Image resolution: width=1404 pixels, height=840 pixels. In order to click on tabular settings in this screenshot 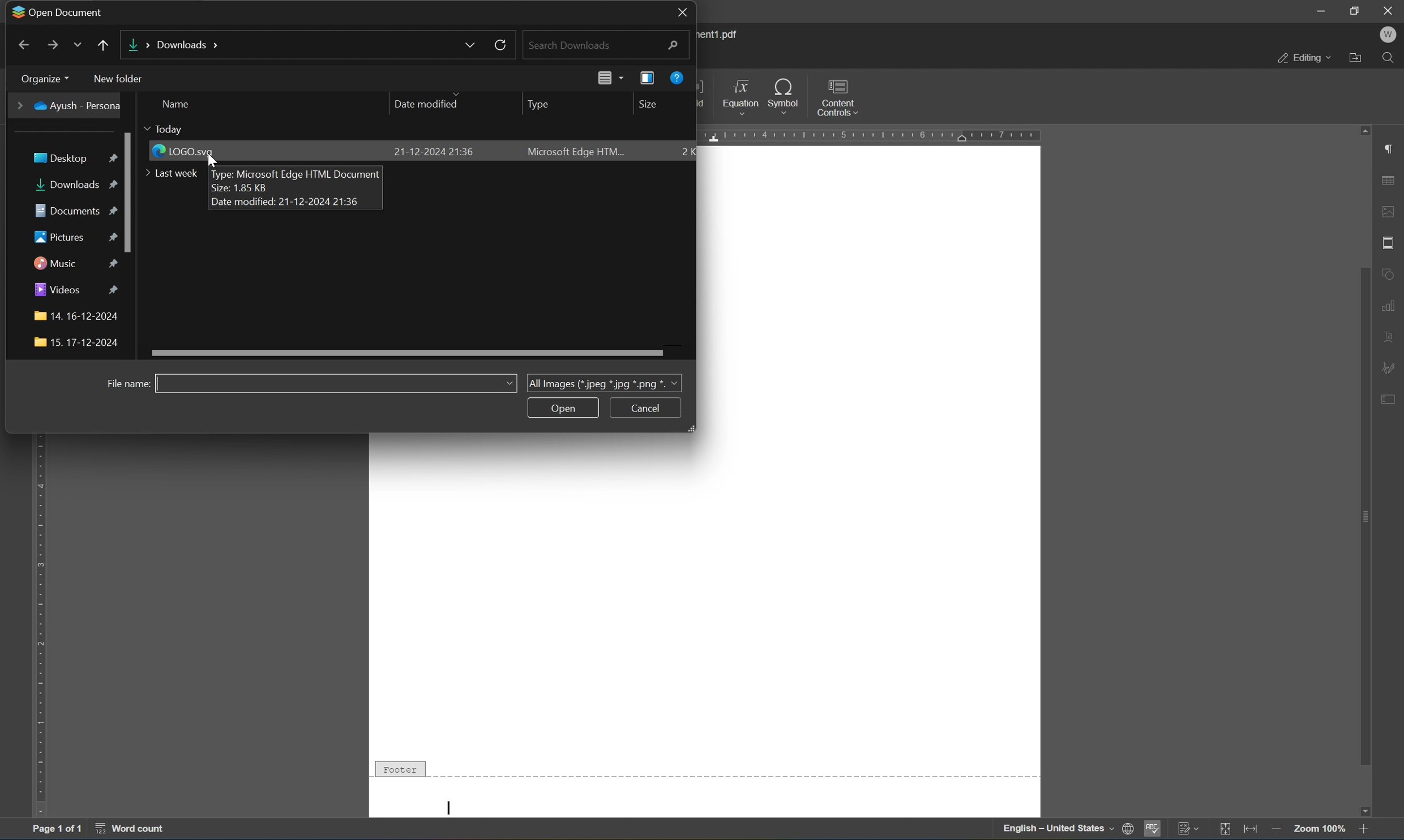, I will do `click(1390, 181)`.